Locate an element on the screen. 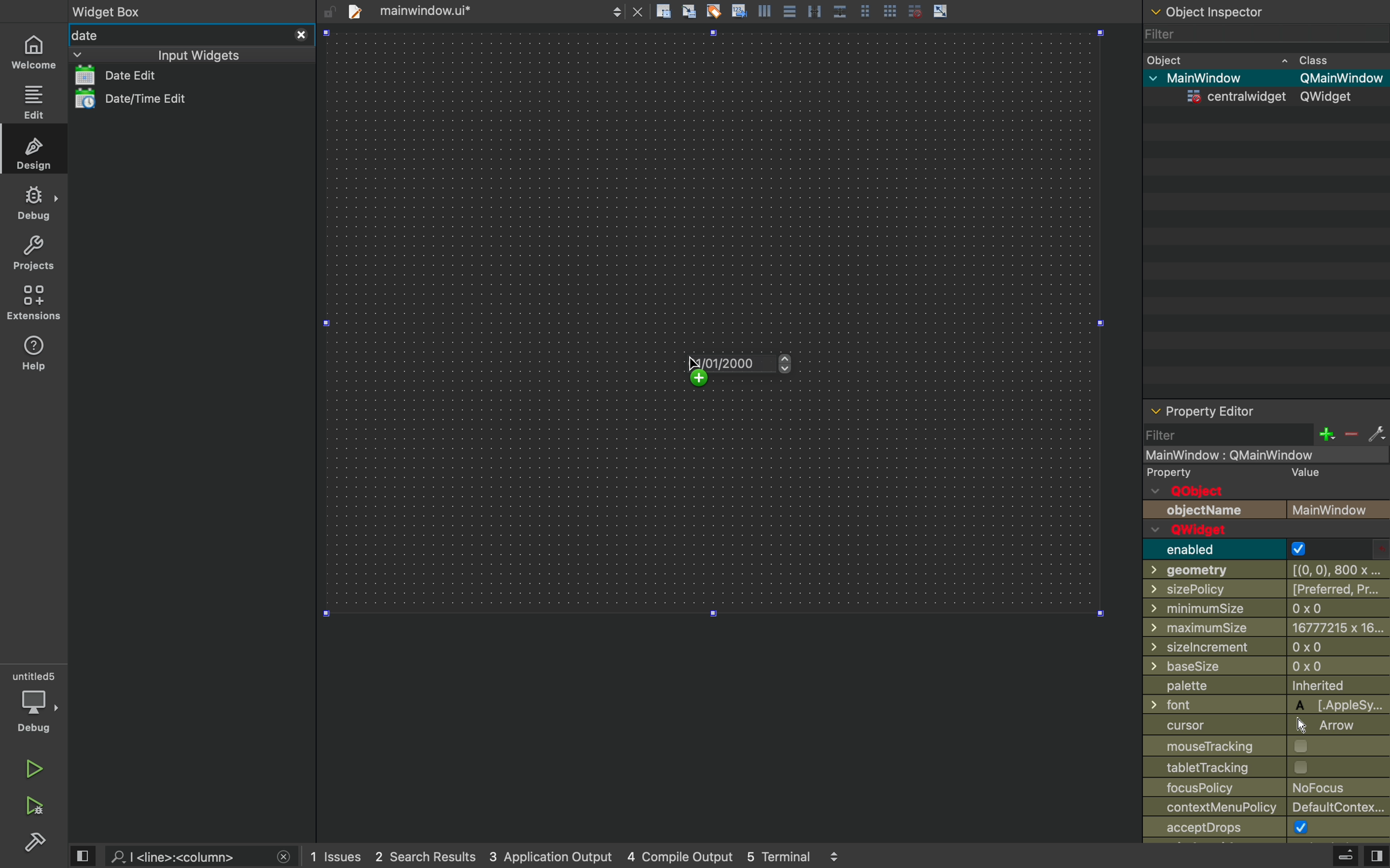  on key up is located at coordinates (749, 365).